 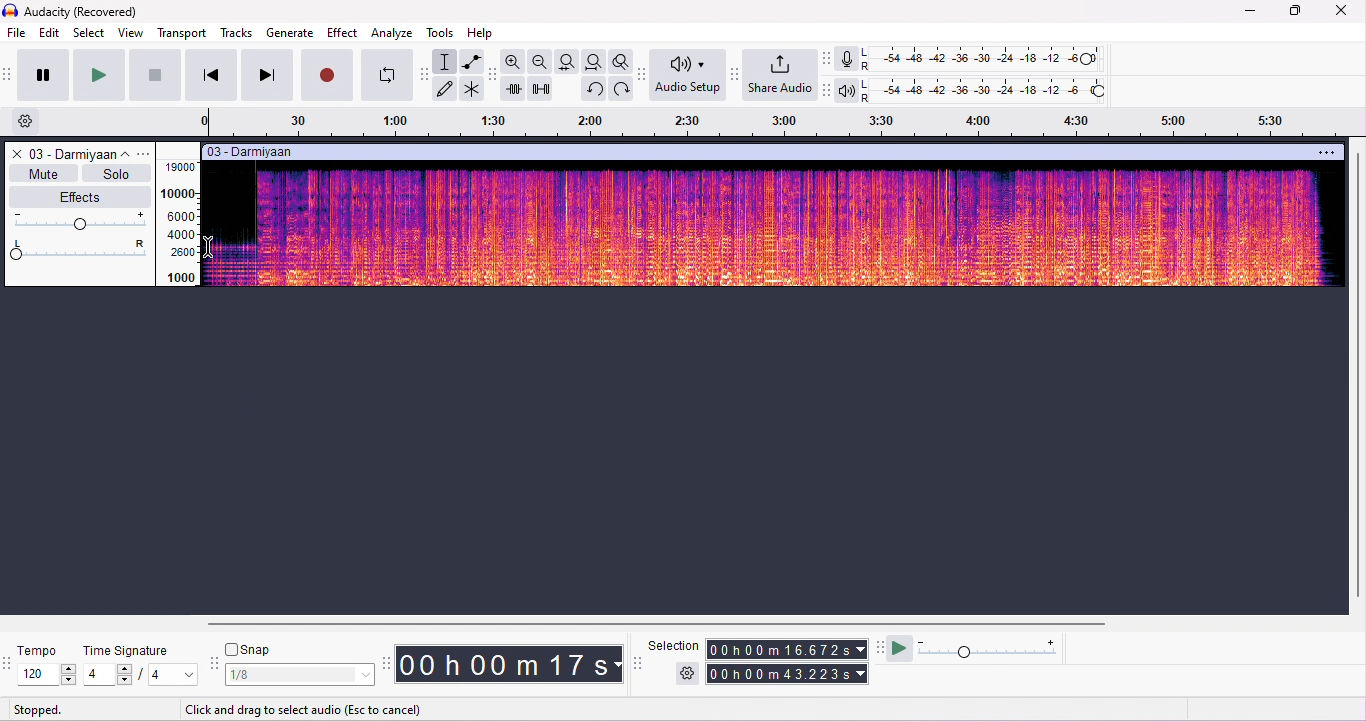 What do you see at coordinates (789, 674) in the screenshot?
I see `total time` at bounding box center [789, 674].